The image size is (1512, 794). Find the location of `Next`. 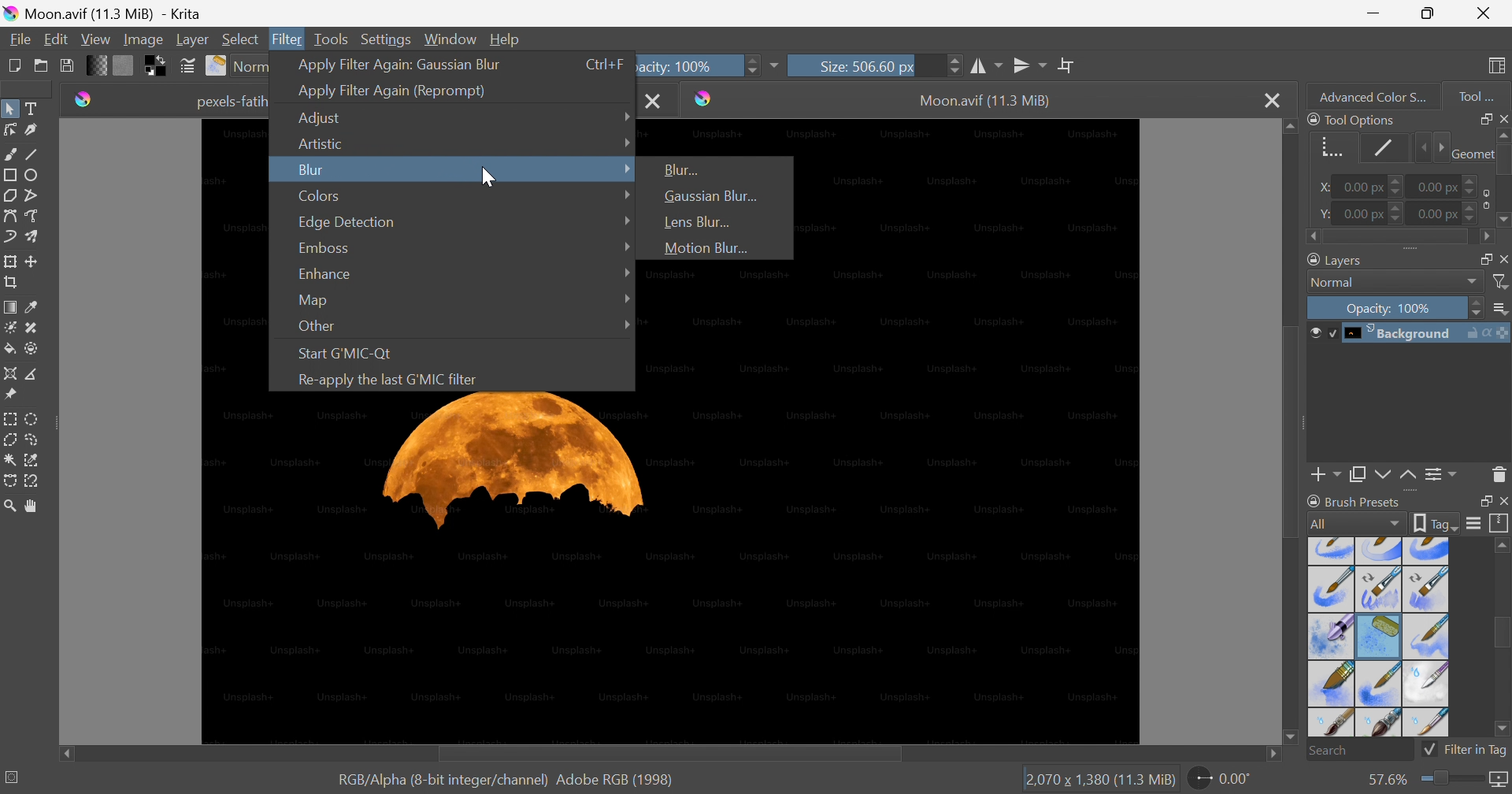

Next is located at coordinates (1438, 147).